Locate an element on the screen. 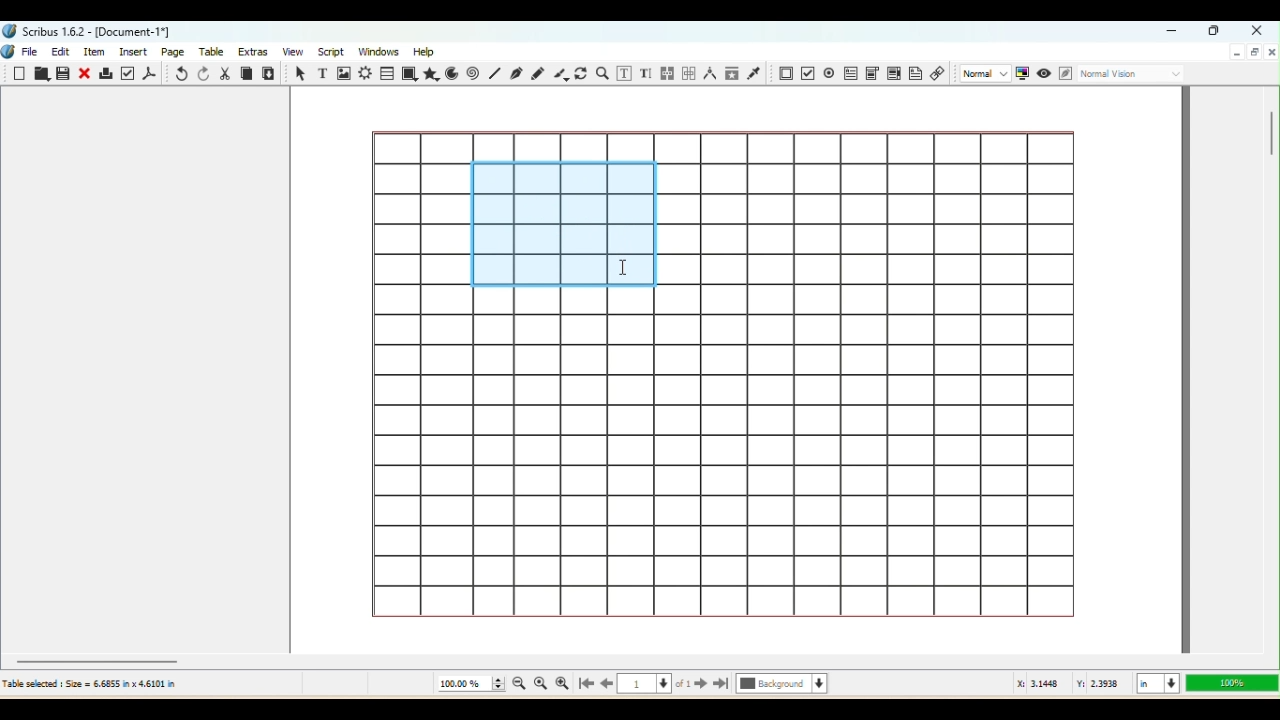  Go back to the previous page is located at coordinates (607, 685).